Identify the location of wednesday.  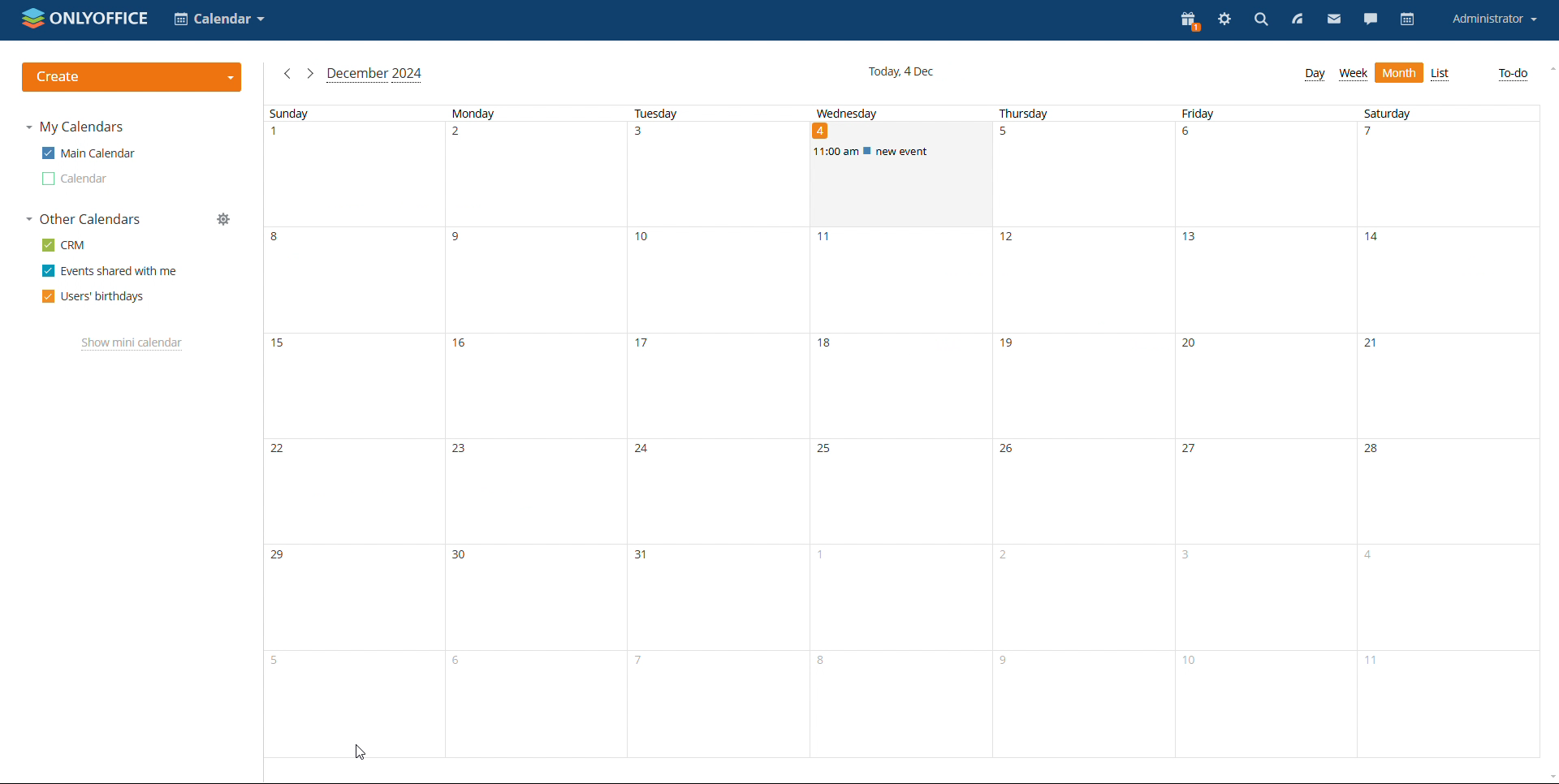
(896, 464).